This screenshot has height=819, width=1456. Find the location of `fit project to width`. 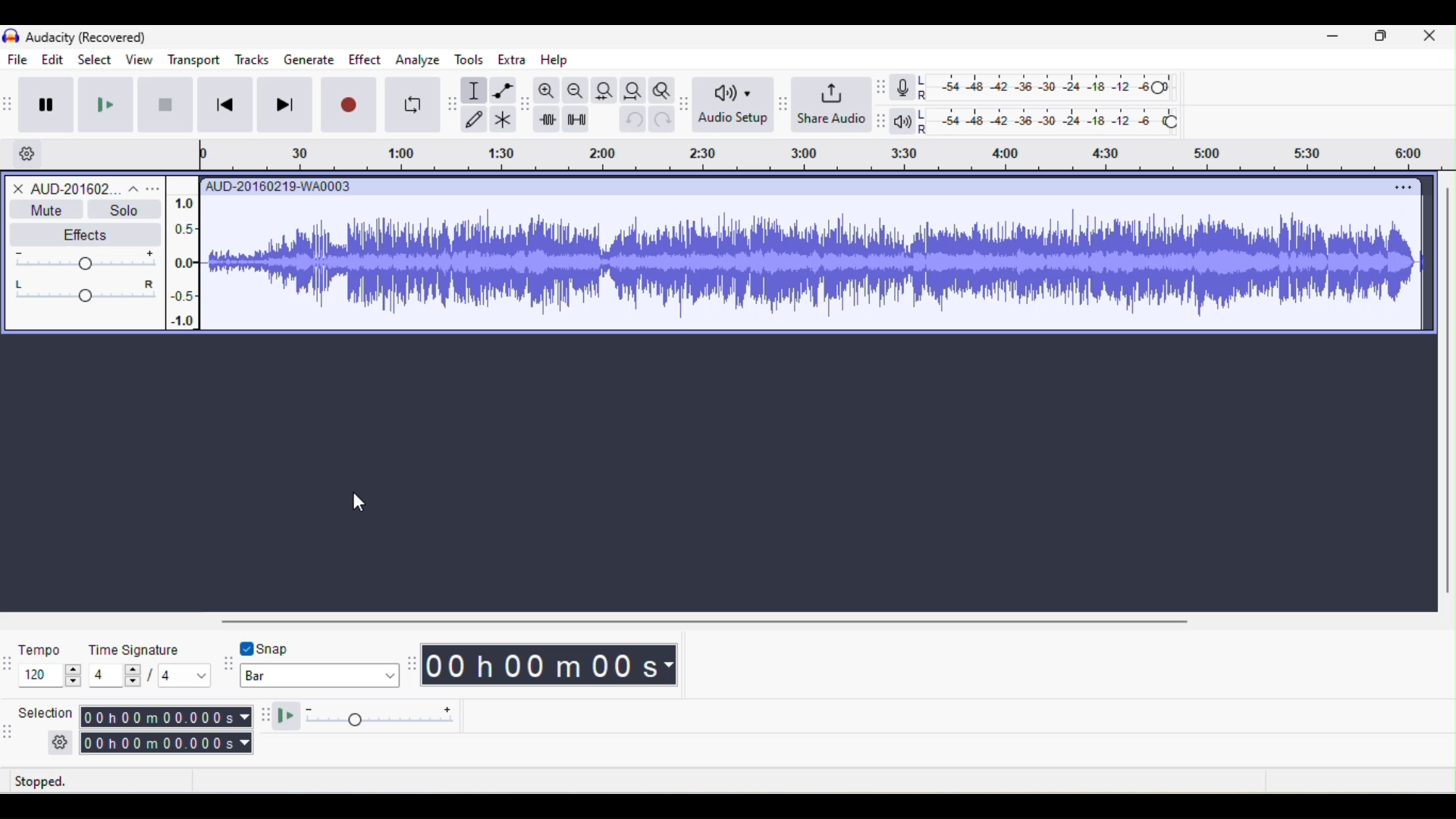

fit project to width is located at coordinates (633, 89).